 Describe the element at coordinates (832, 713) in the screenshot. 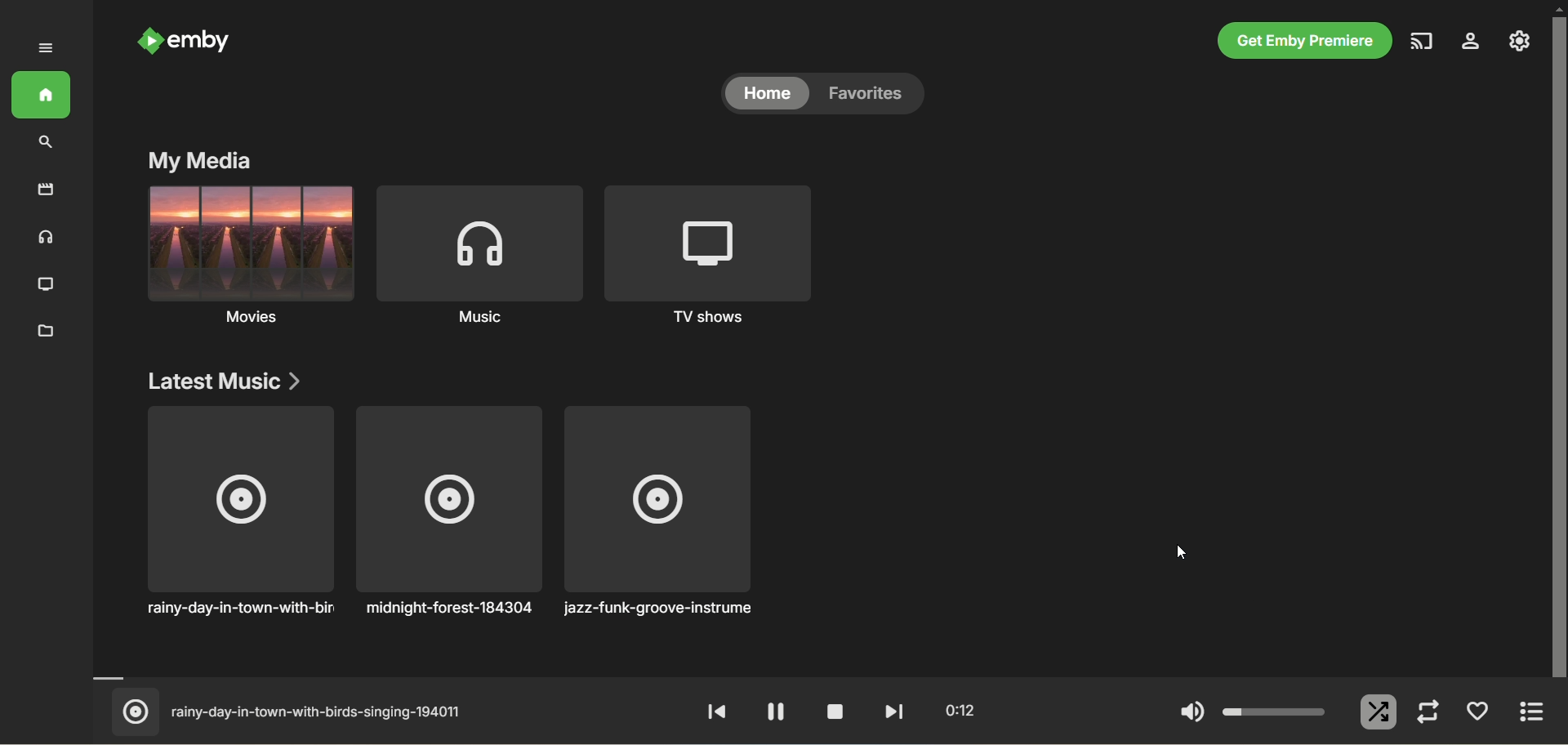

I see `stop` at that location.